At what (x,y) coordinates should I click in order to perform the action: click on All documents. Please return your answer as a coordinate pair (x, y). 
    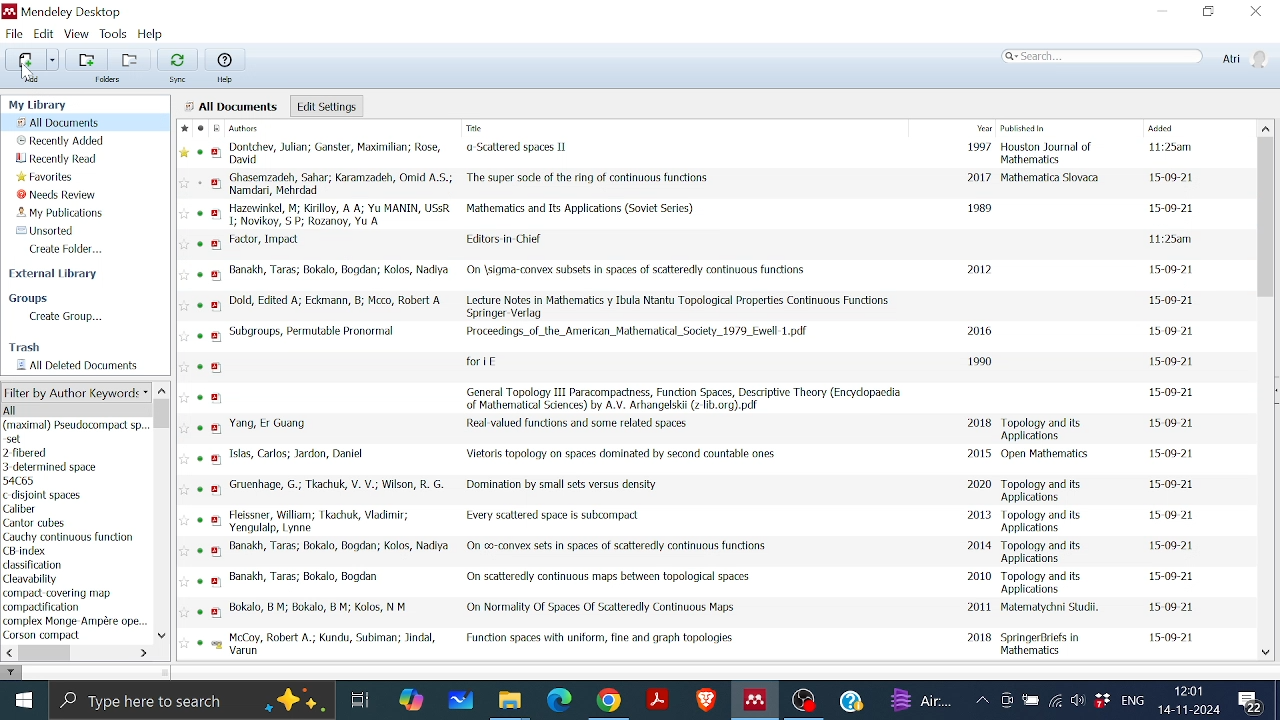
    Looking at the image, I should click on (59, 123).